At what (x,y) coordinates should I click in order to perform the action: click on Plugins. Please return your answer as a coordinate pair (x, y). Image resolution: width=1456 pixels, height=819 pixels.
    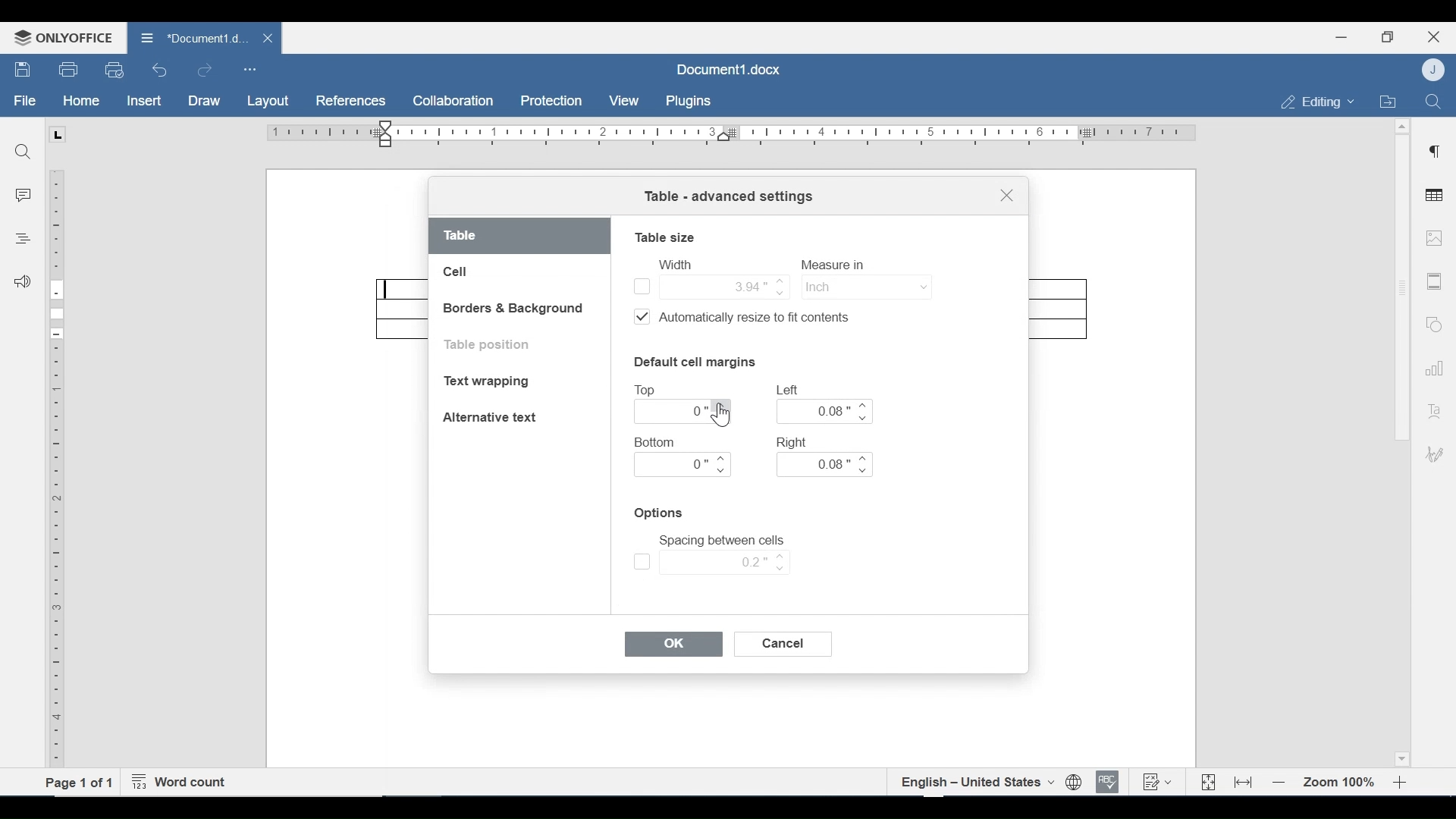
    Looking at the image, I should click on (686, 102).